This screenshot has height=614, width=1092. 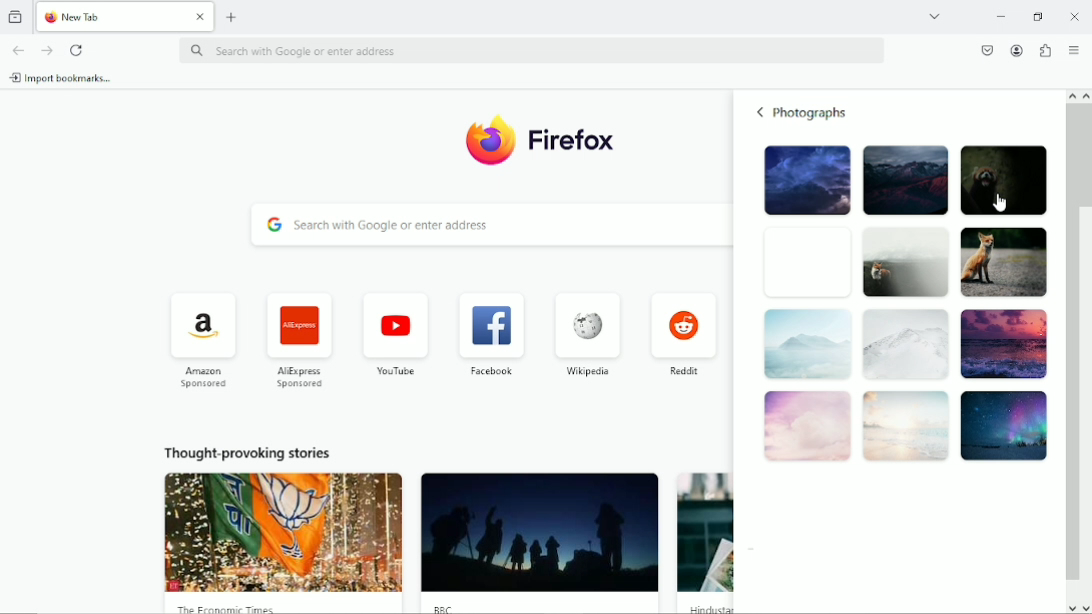 I want to click on vertical scrollbar, so click(x=1070, y=344).